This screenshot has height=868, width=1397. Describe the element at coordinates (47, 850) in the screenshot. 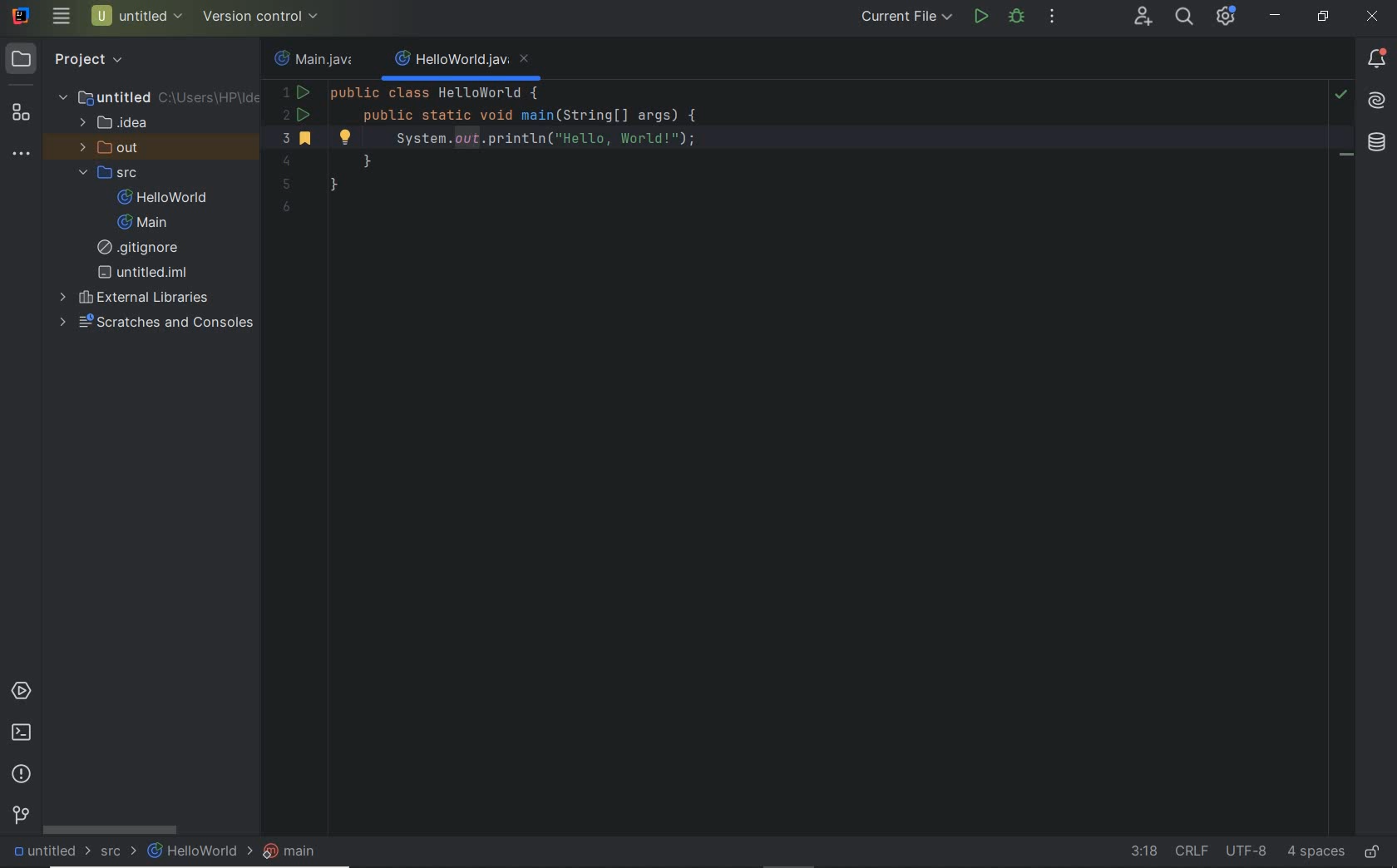

I see `untitled` at that location.